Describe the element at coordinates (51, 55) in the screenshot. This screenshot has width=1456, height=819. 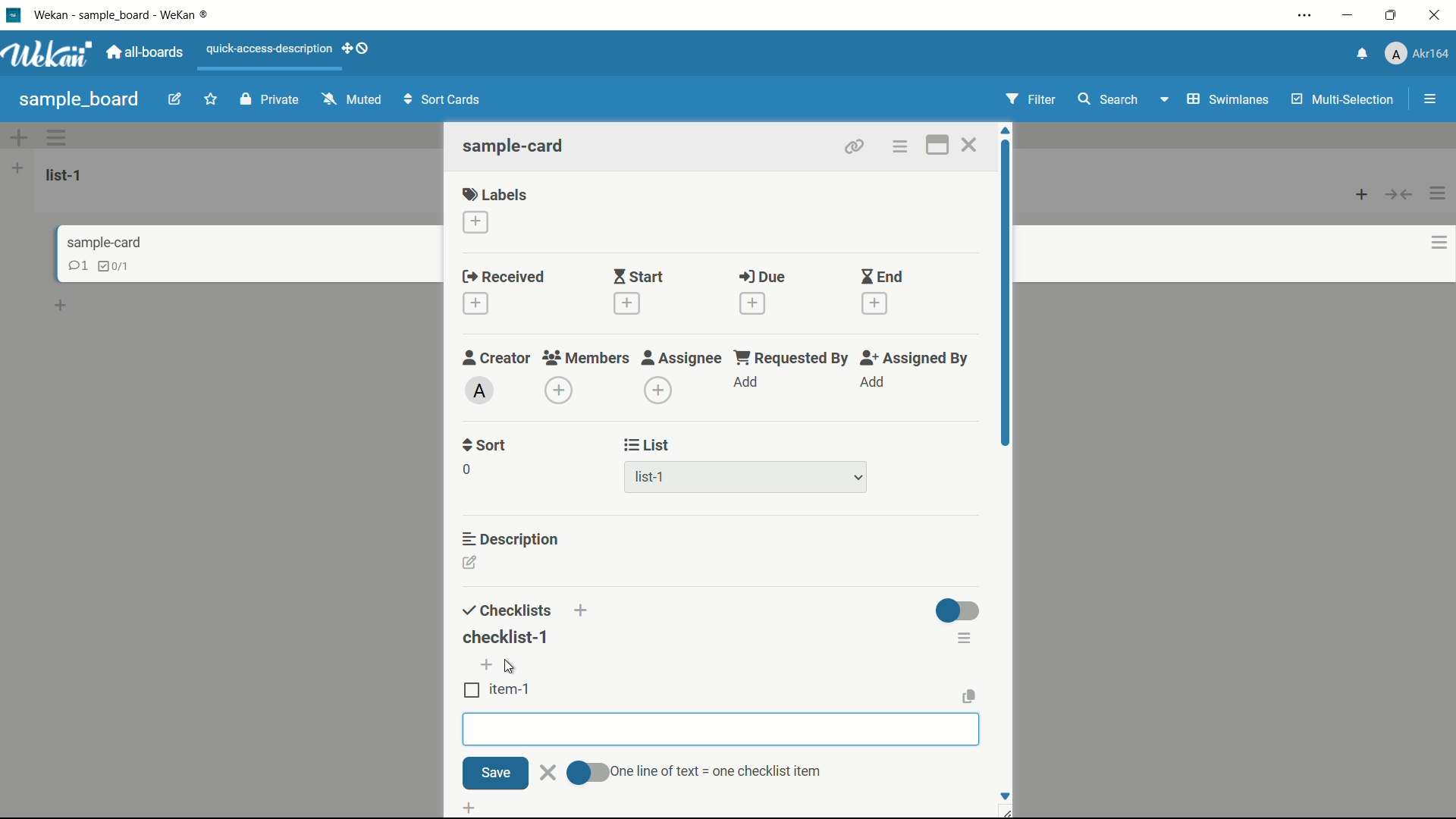
I see `app logo` at that location.